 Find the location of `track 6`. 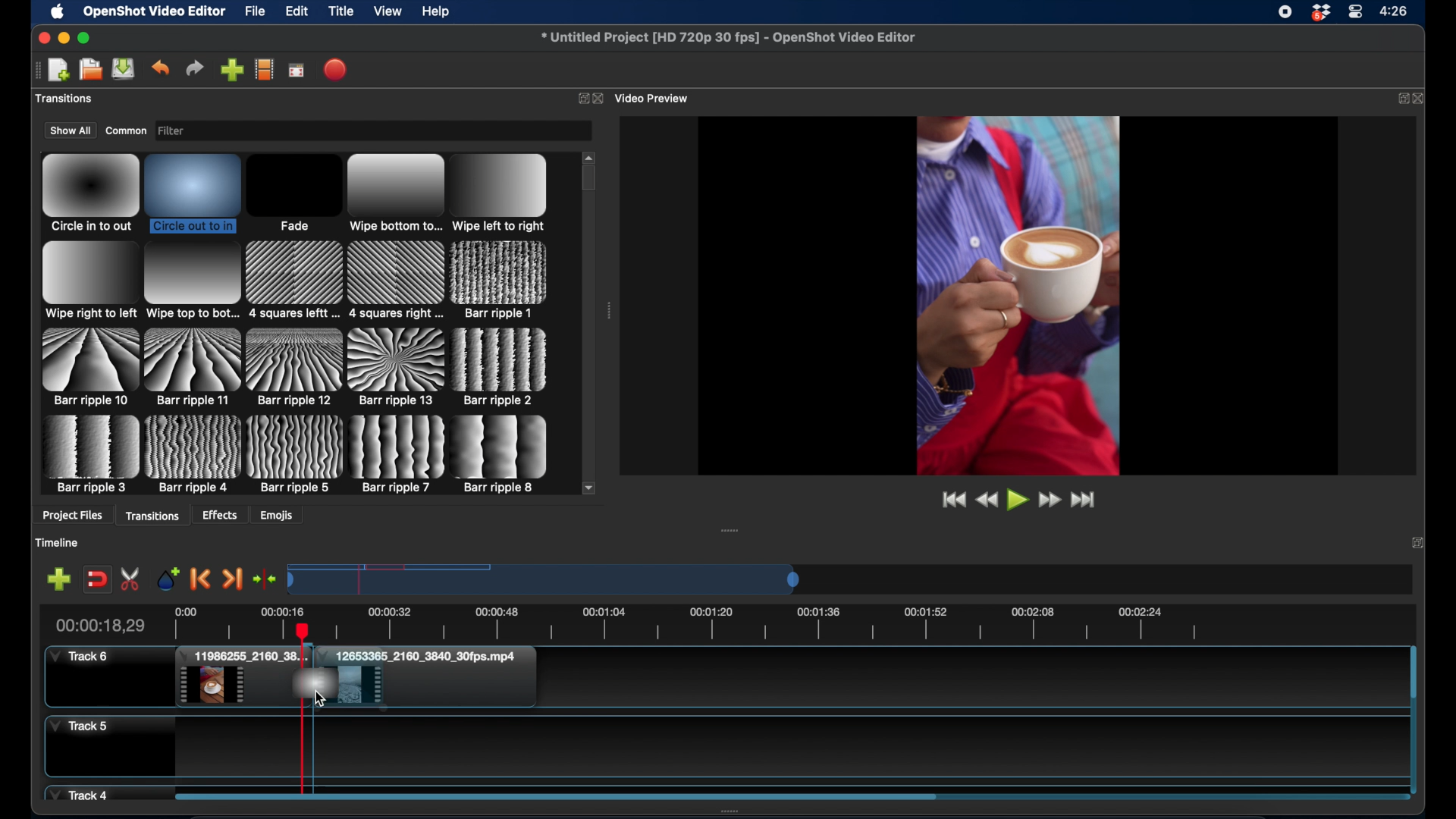

track 6 is located at coordinates (80, 657).